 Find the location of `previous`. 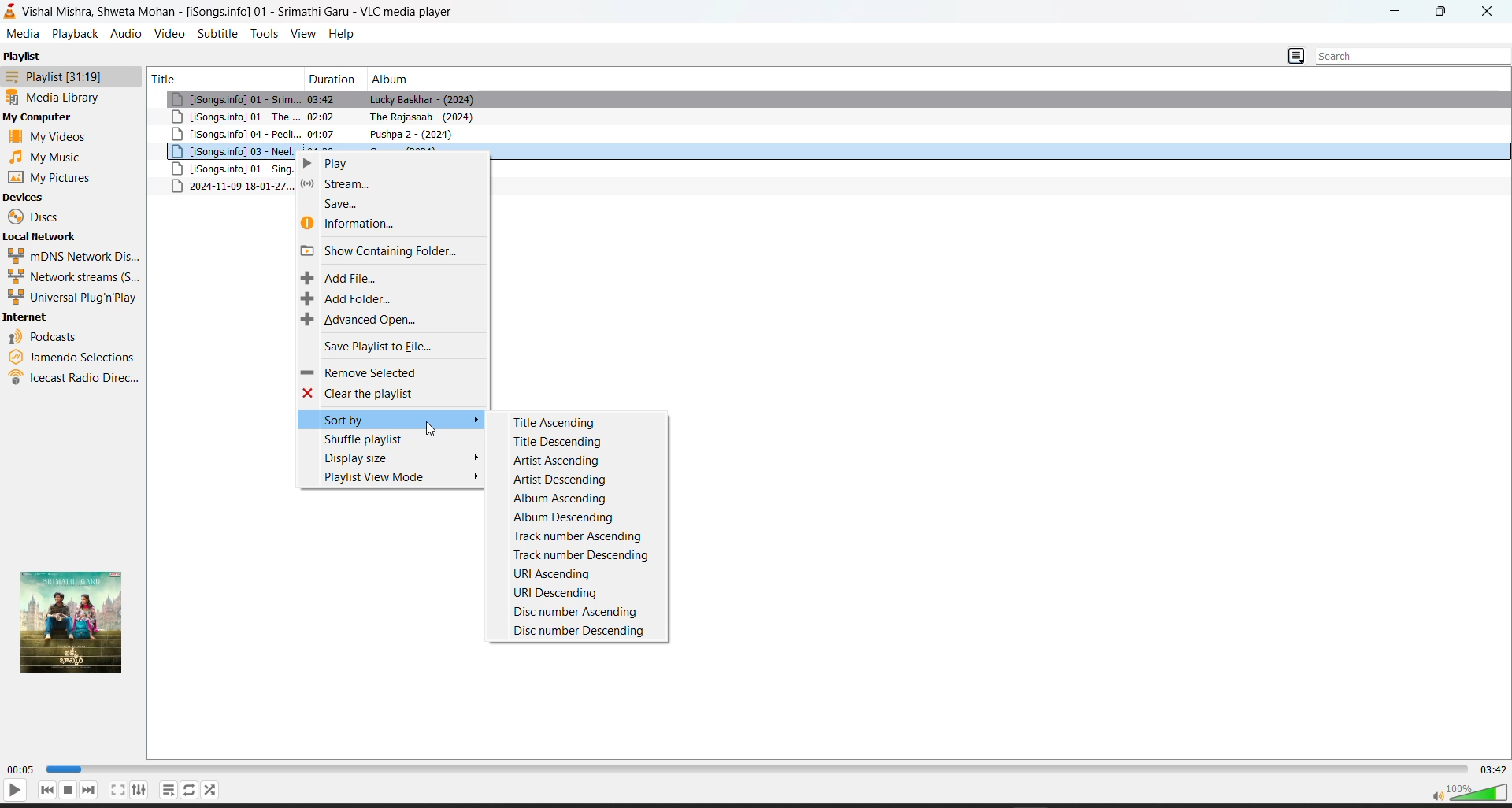

previous is located at coordinates (47, 790).